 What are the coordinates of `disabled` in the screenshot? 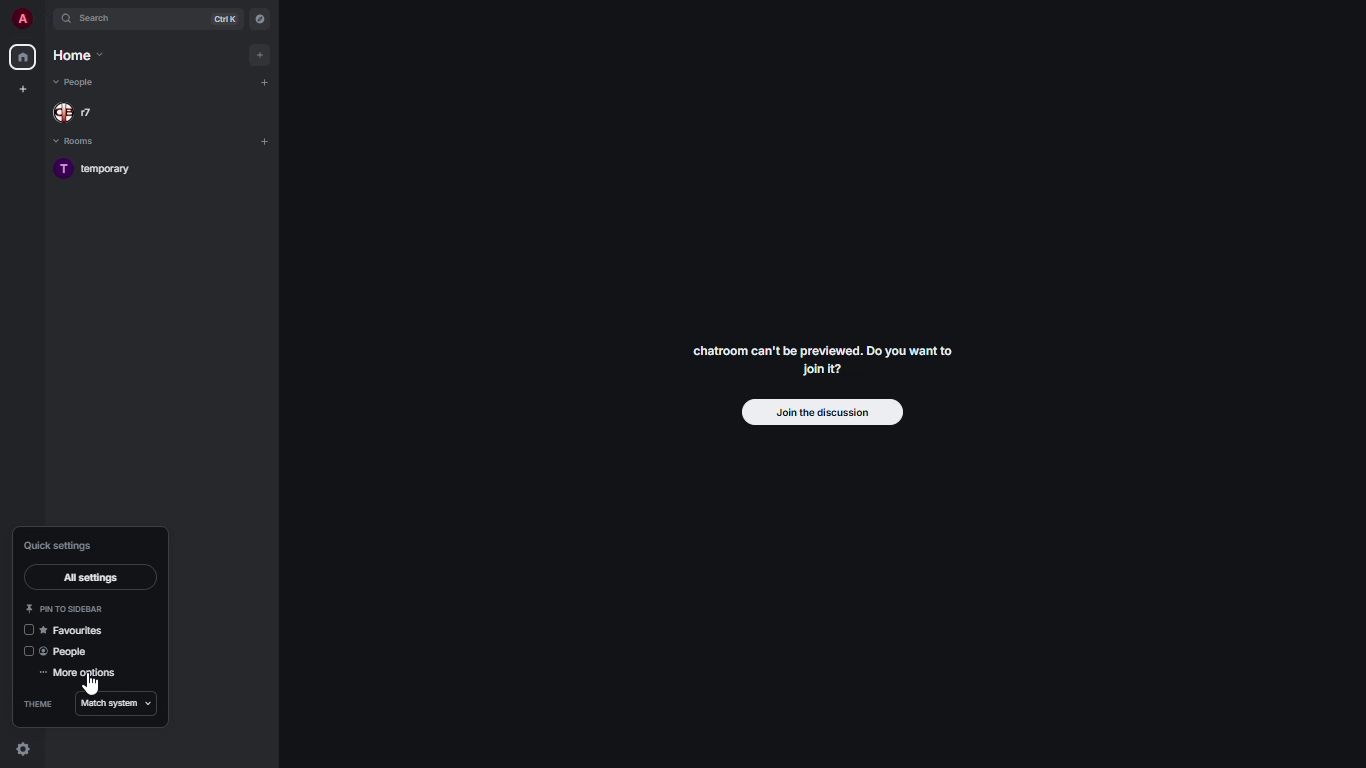 It's located at (23, 630).